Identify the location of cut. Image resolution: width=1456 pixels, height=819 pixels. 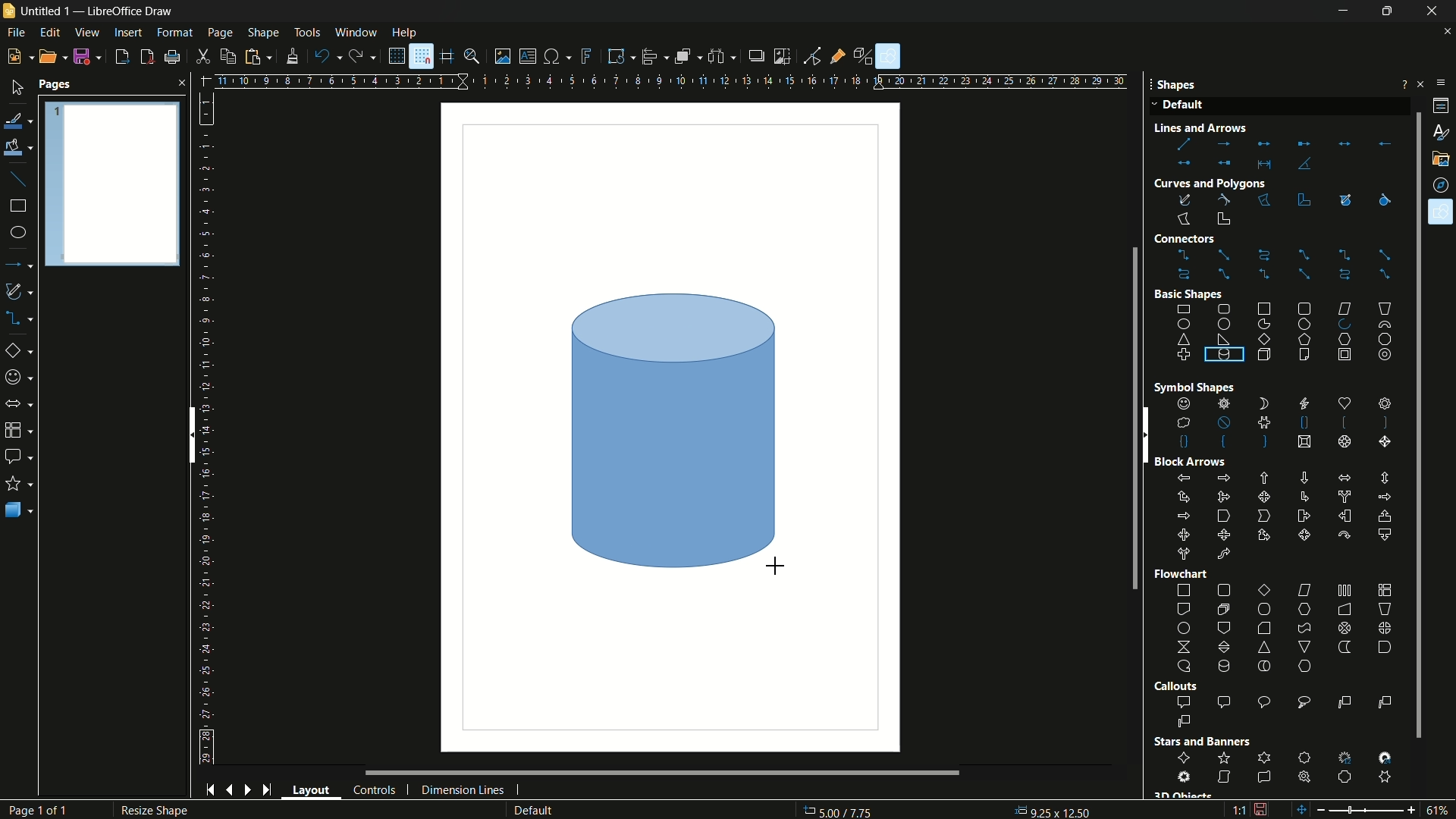
(206, 56).